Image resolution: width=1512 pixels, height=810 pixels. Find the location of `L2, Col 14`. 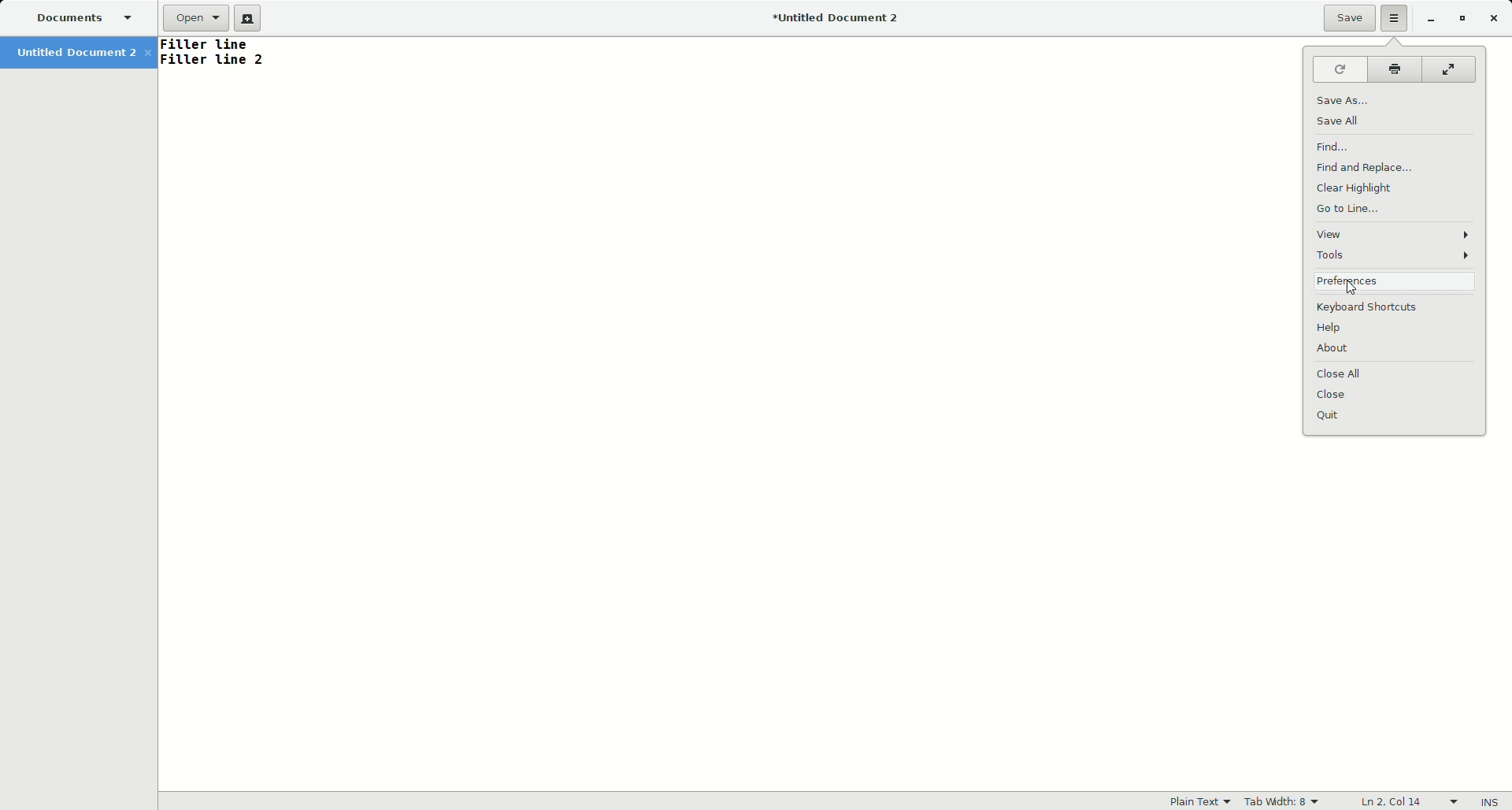

L2, Col 14 is located at coordinates (1406, 801).